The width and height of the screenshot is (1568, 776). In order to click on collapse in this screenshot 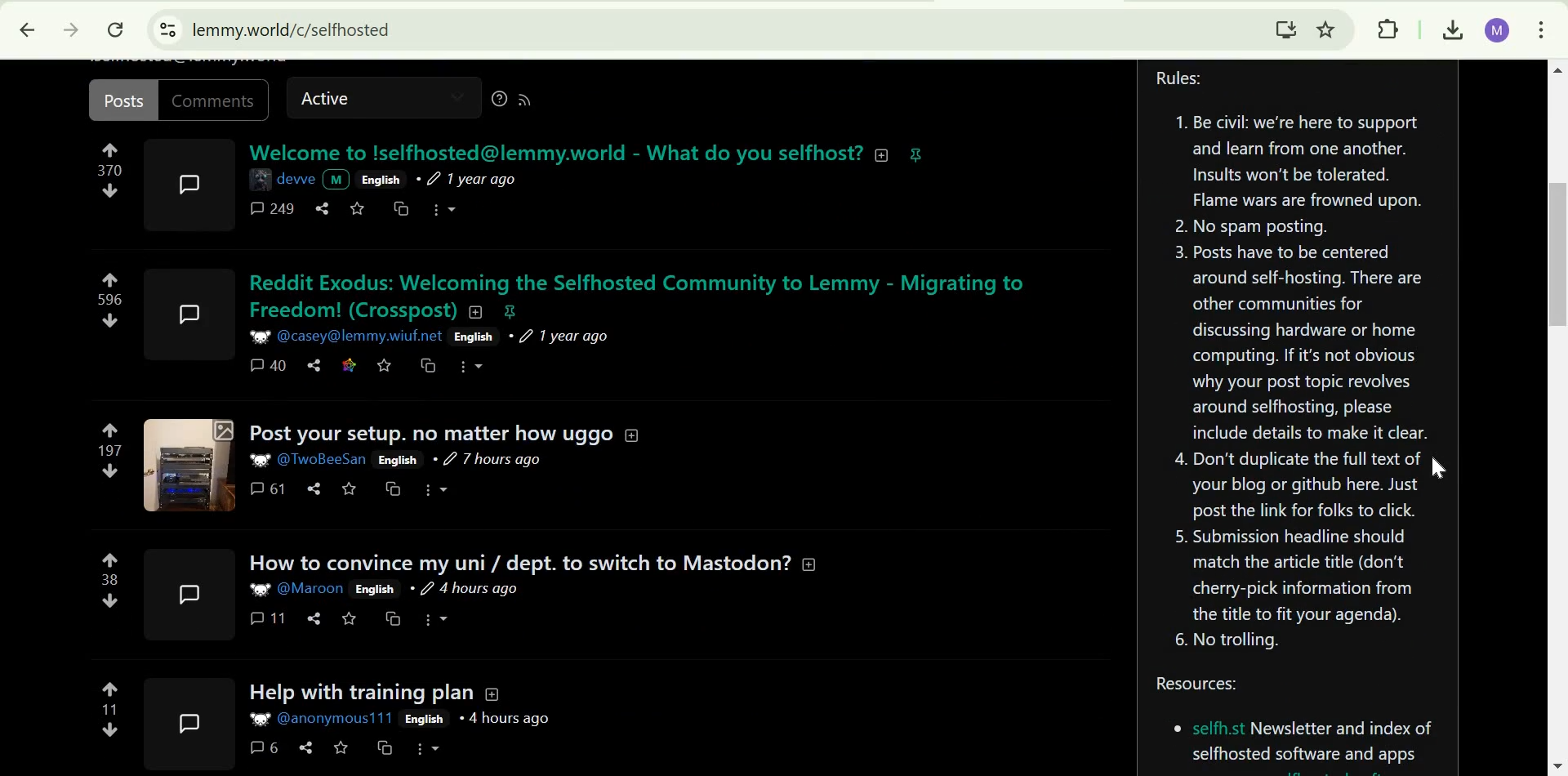, I will do `click(631, 433)`.